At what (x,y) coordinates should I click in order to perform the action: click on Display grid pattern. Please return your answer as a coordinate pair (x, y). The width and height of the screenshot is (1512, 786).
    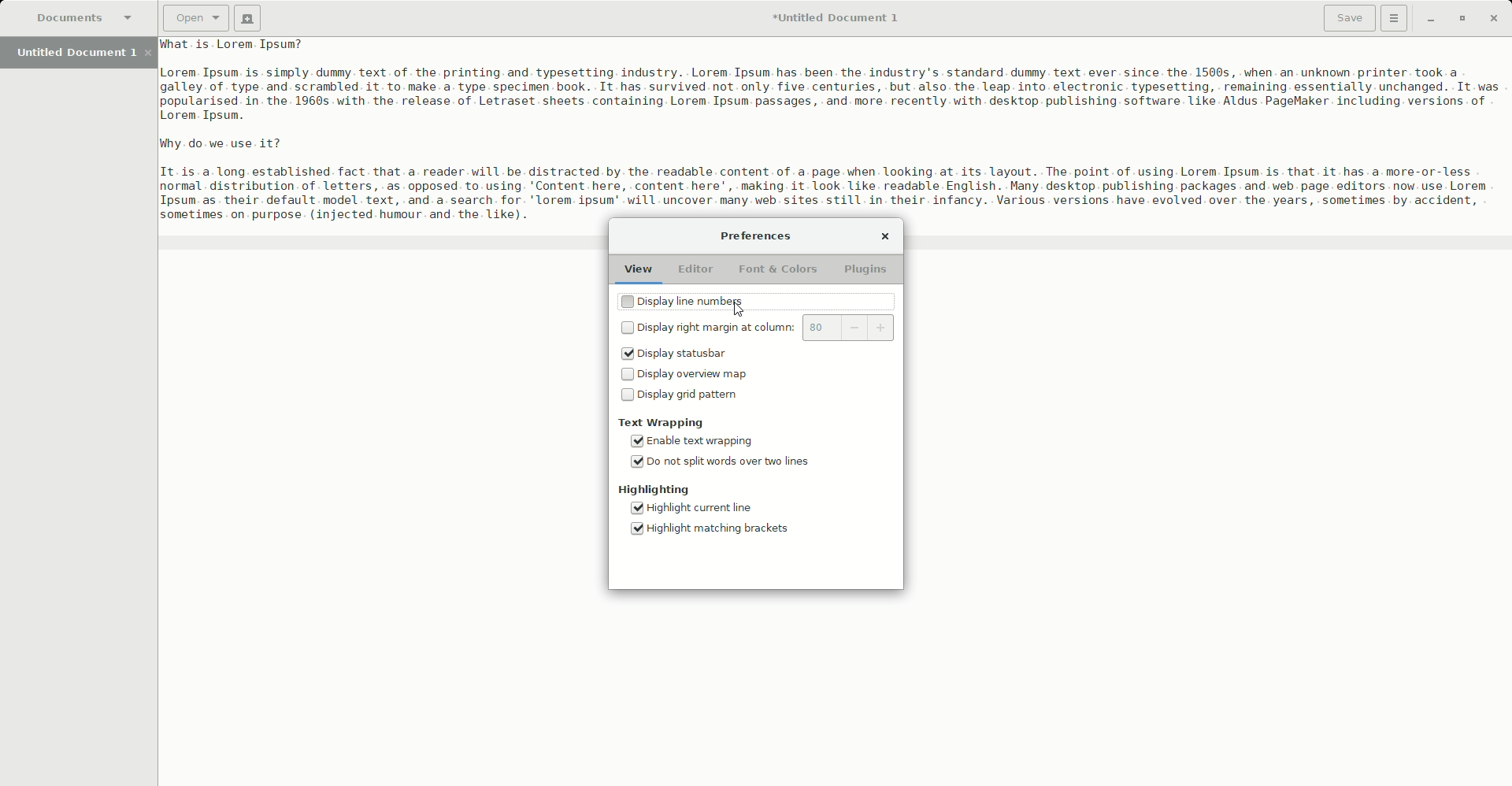
    Looking at the image, I should click on (683, 398).